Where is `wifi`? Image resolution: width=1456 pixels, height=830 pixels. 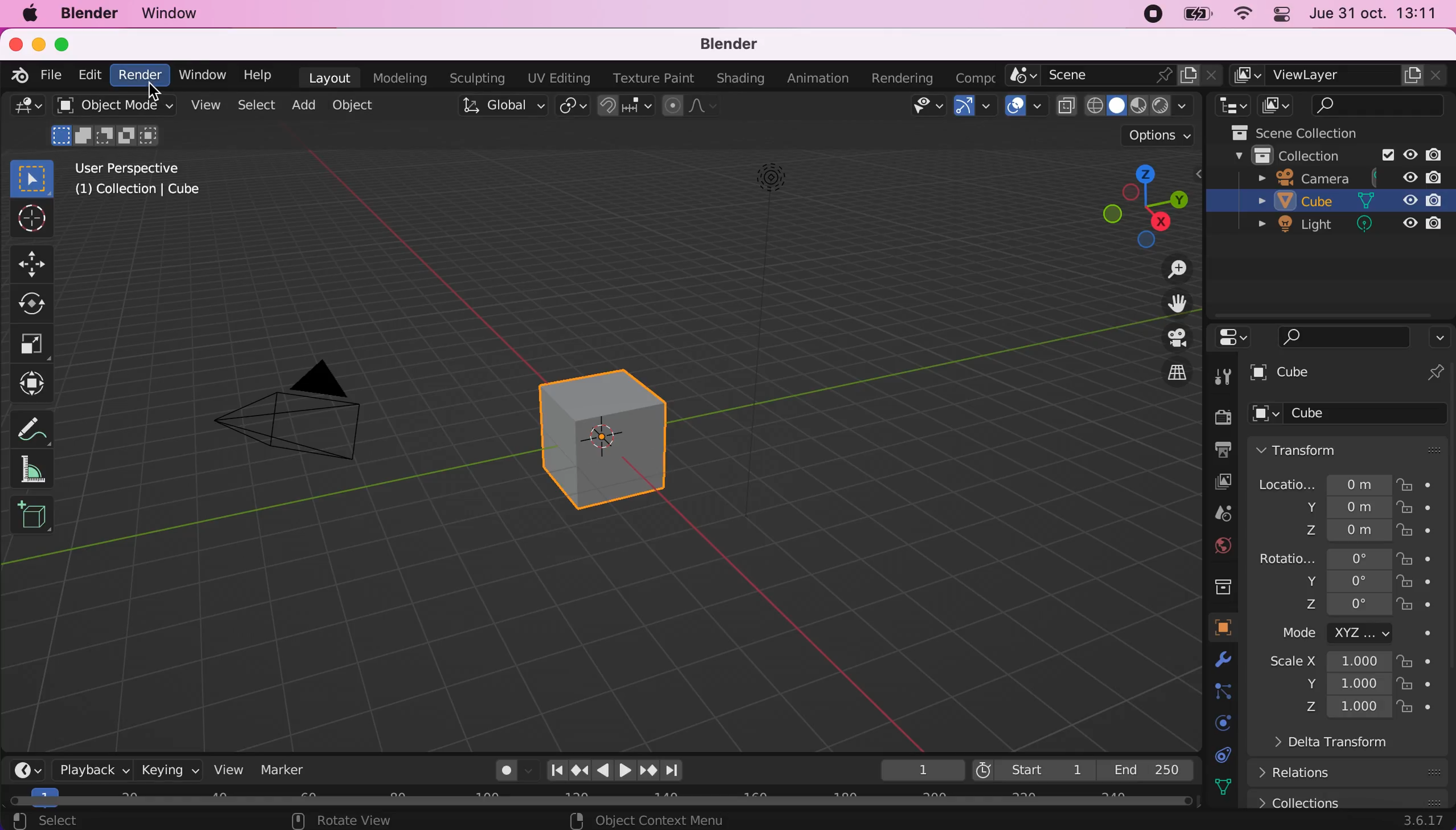
wifi is located at coordinates (1242, 19).